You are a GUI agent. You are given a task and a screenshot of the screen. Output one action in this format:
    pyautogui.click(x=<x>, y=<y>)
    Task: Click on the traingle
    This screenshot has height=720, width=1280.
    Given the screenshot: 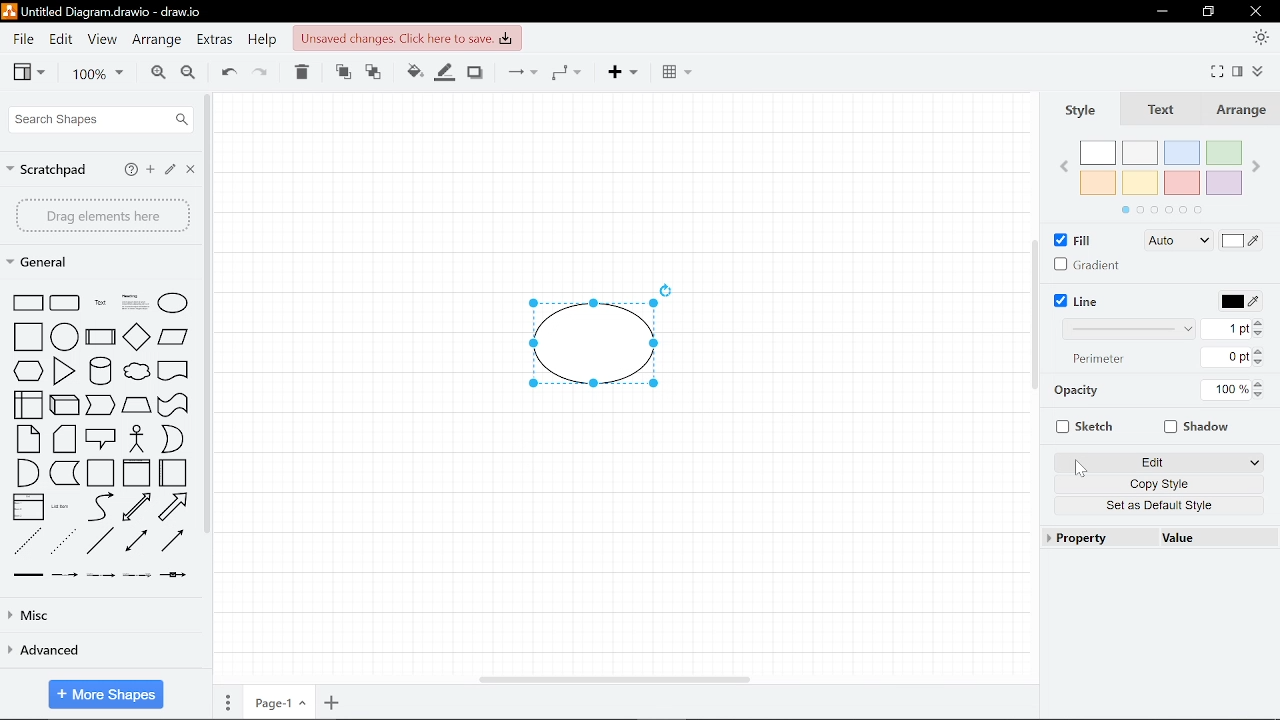 What is the action you would take?
    pyautogui.click(x=62, y=371)
    